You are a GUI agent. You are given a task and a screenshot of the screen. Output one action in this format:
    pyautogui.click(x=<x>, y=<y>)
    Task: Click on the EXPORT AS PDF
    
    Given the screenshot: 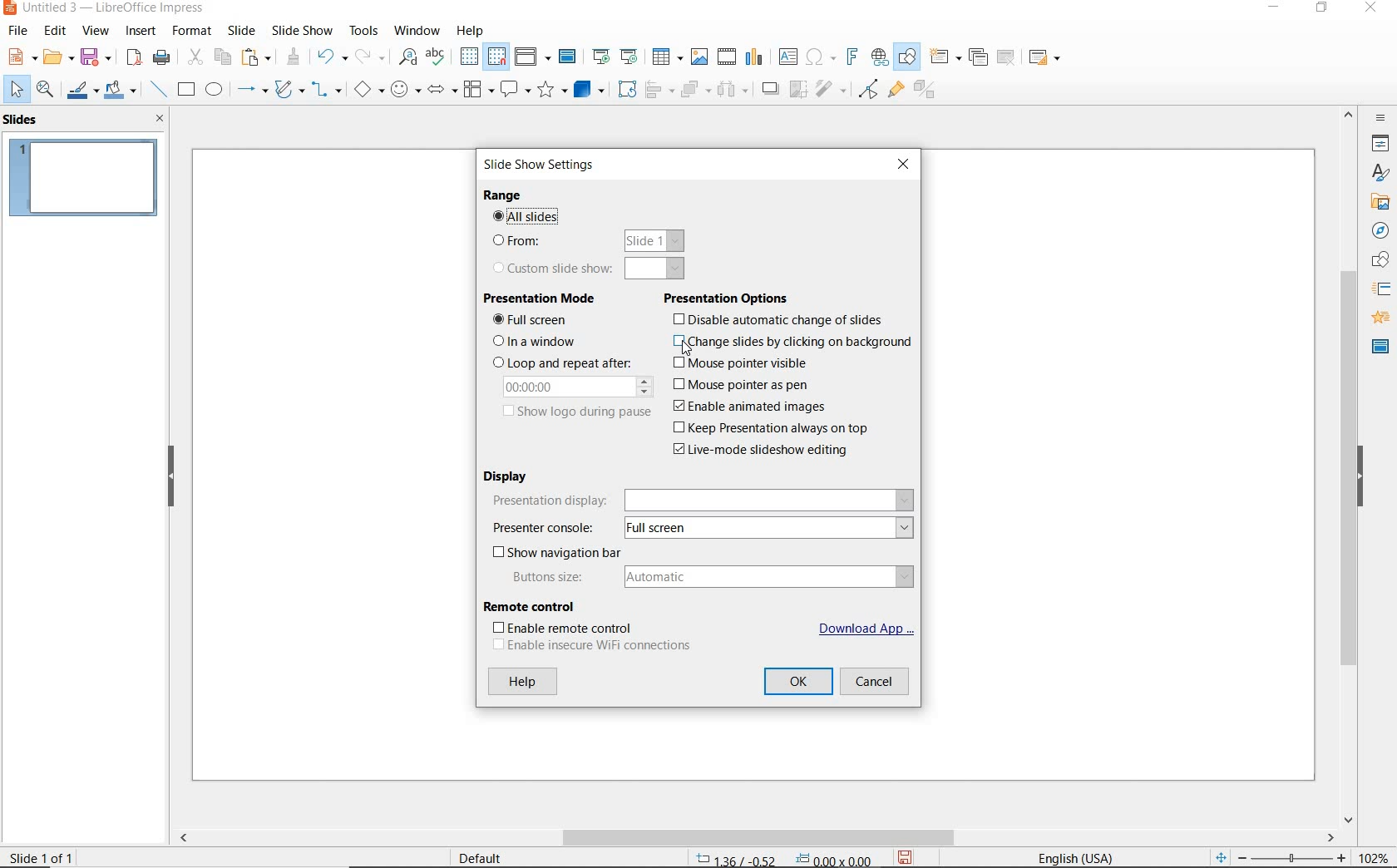 What is the action you would take?
    pyautogui.click(x=135, y=58)
    